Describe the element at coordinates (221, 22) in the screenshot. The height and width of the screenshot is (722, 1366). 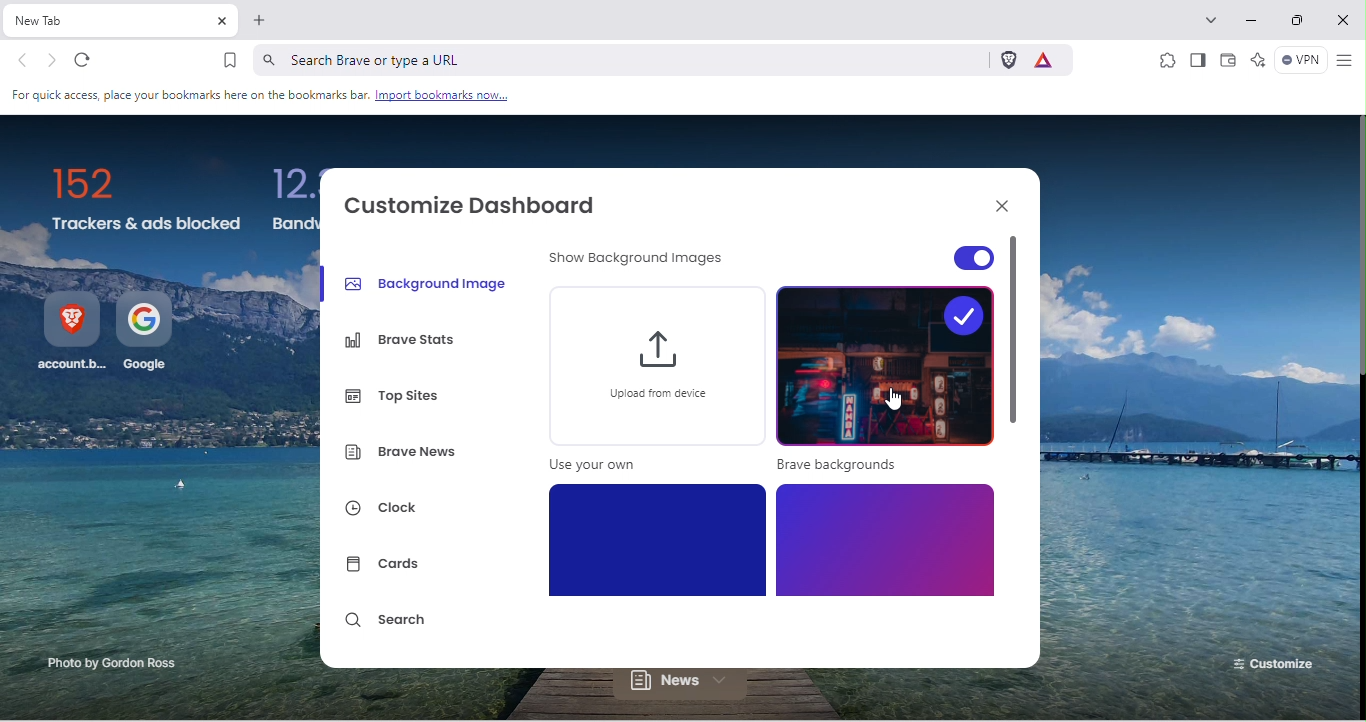
I see `Close tab` at that location.